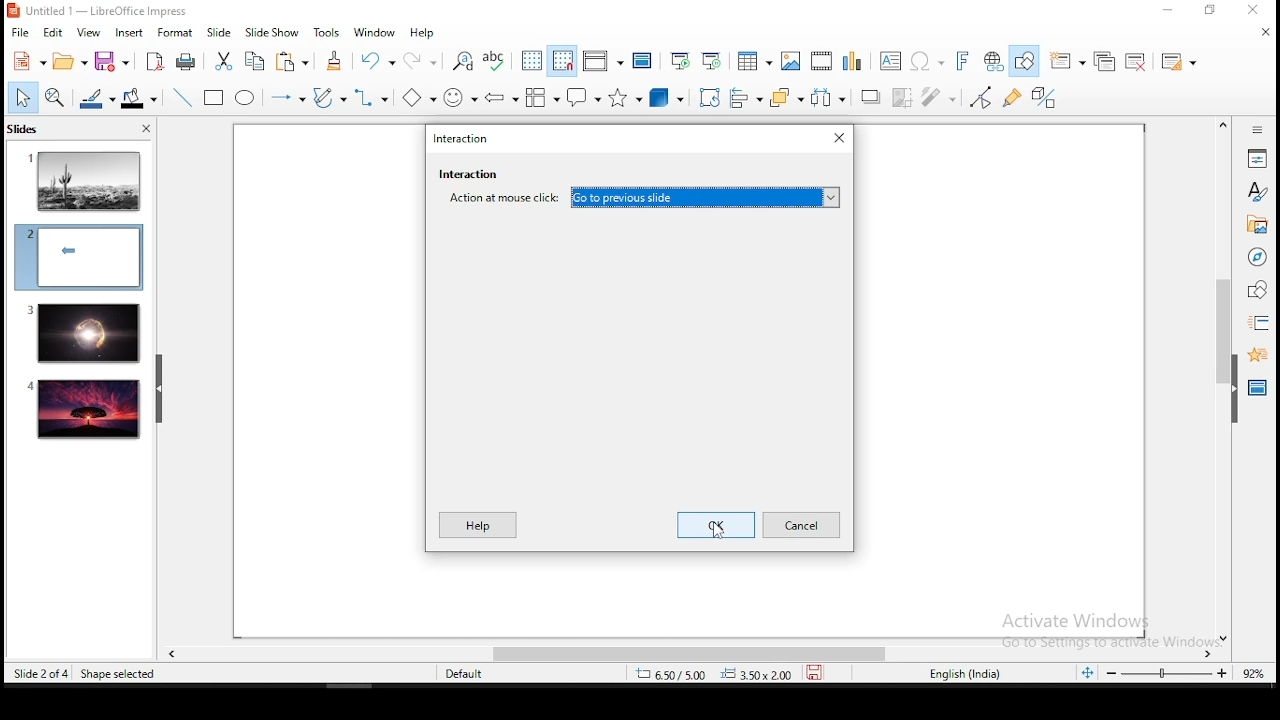 The width and height of the screenshot is (1280, 720). What do you see at coordinates (117, 673) in the screenshot?
I see `resize shape` at bounding box center [117, 673].